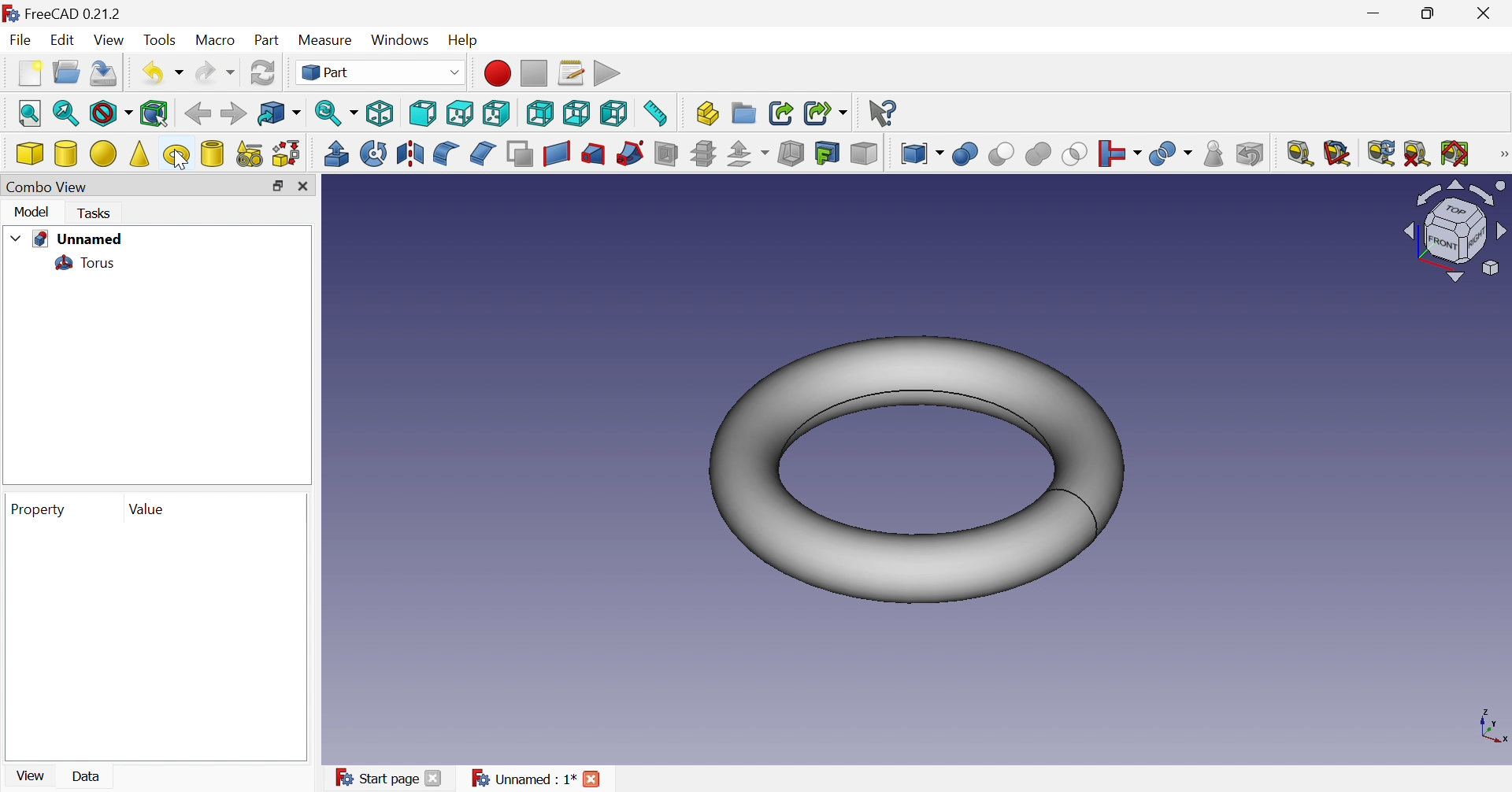  What do you see at coordinates (1118, 154) in the screenshot?
I see `Split objects...` at bounding box center [1118, 154].